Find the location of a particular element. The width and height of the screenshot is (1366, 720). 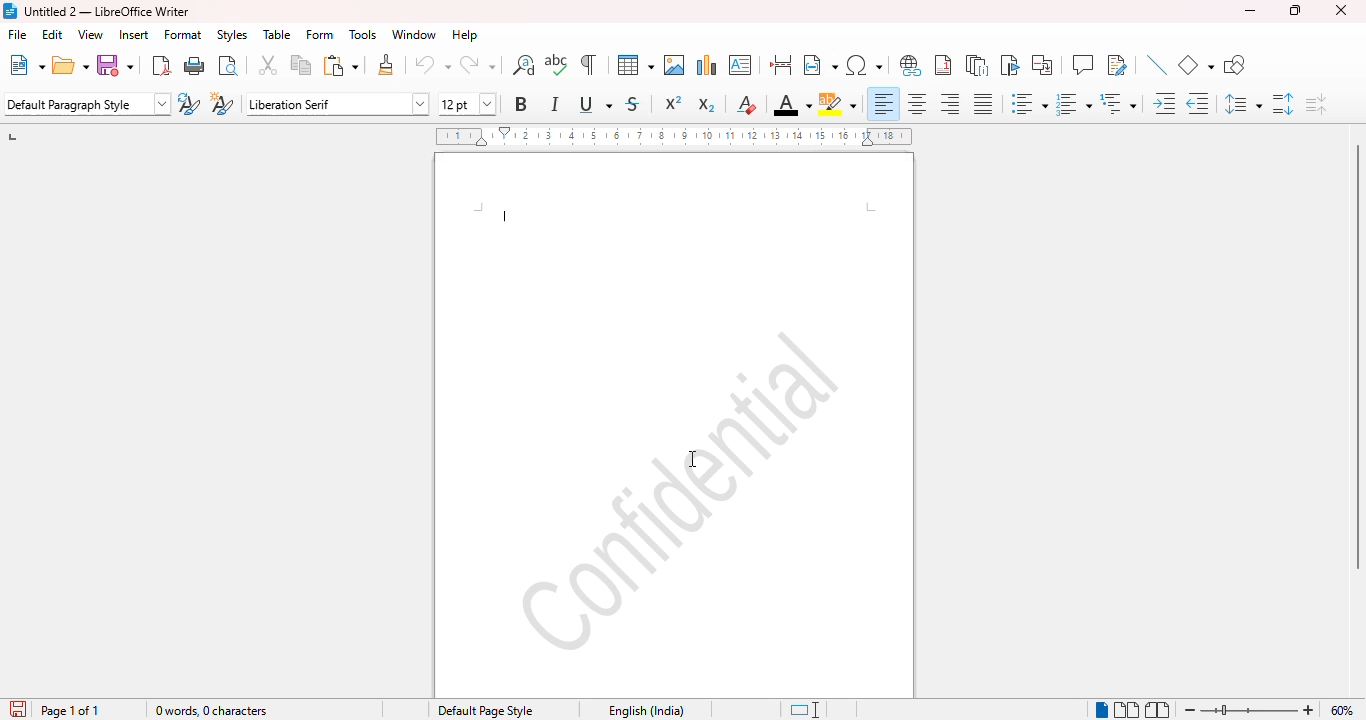

insert text box is located at coordinates (740, 65).